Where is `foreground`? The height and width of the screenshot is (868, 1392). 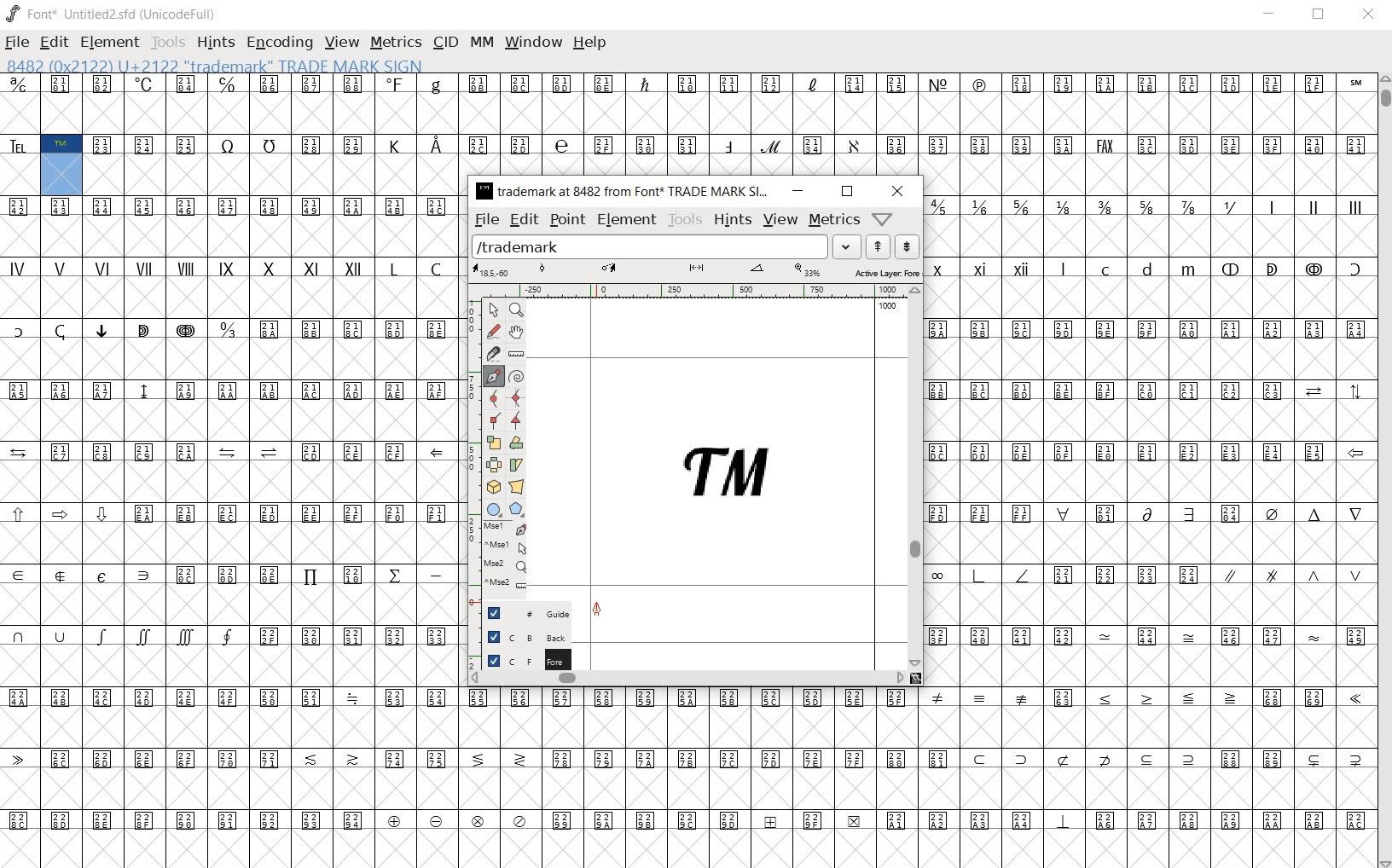
foreground is located at coordinates (522, 658).